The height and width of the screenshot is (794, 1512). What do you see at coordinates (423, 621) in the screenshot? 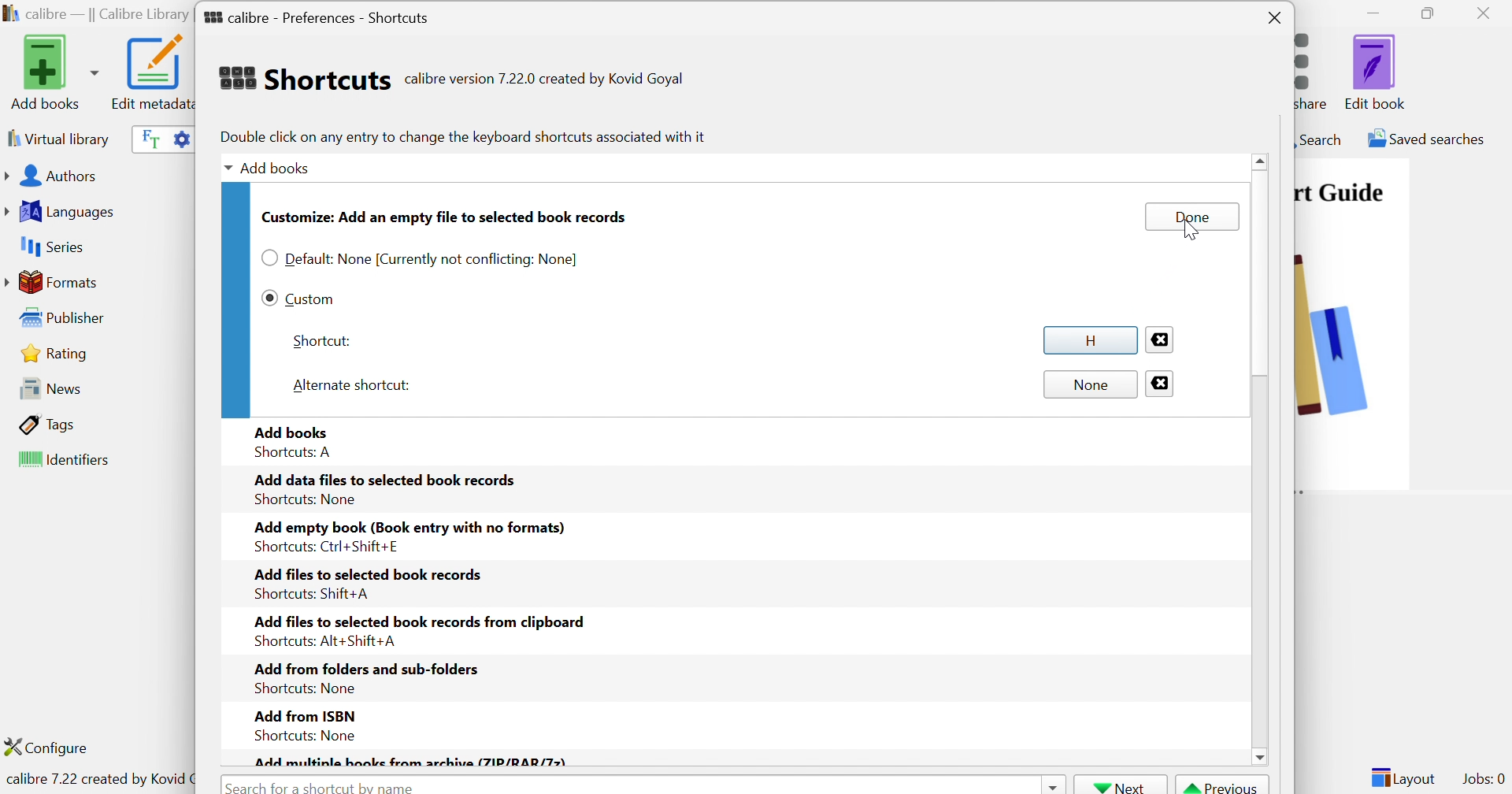
I see `Add files to selected book records from clipboard` at bounding box center [423, 621].